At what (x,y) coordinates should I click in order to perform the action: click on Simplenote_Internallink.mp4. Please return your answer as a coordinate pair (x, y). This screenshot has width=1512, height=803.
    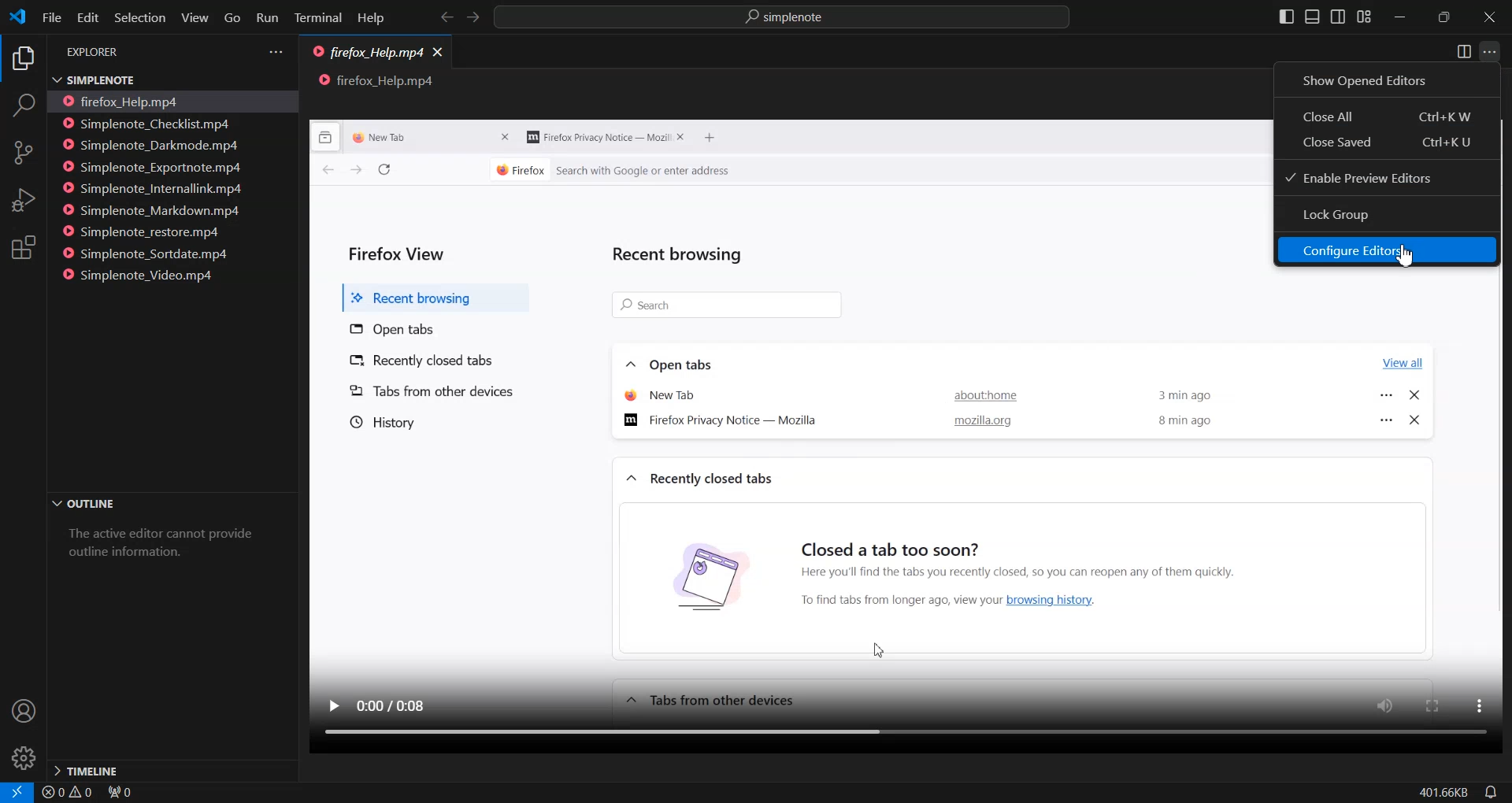
    Looking at the image, I should click on (154, 189).